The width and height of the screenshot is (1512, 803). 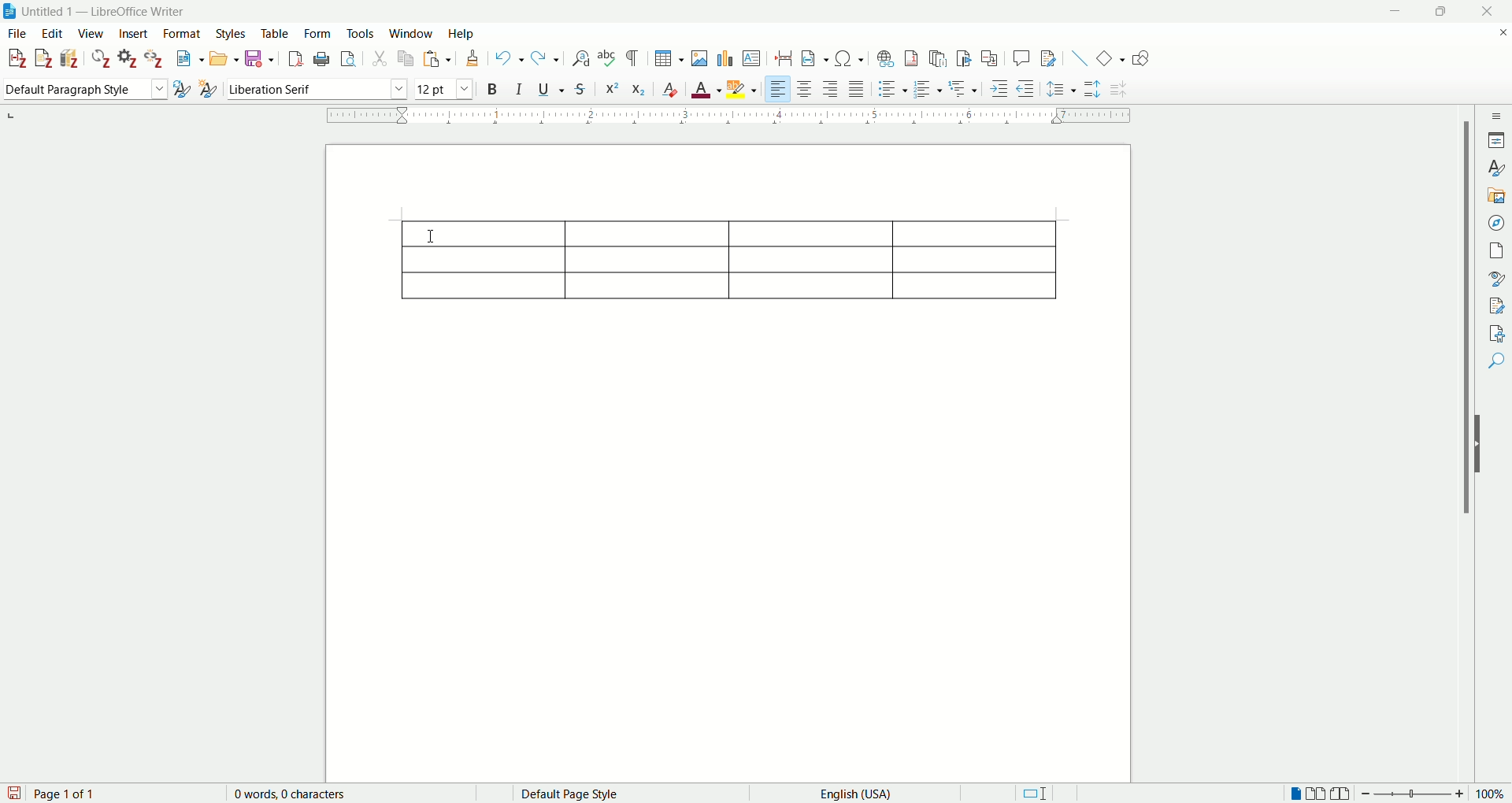 What do you see at coordinates (993, 57) in the screenshot?
I see `insert cross-reference` at bounding box center [993, 57].